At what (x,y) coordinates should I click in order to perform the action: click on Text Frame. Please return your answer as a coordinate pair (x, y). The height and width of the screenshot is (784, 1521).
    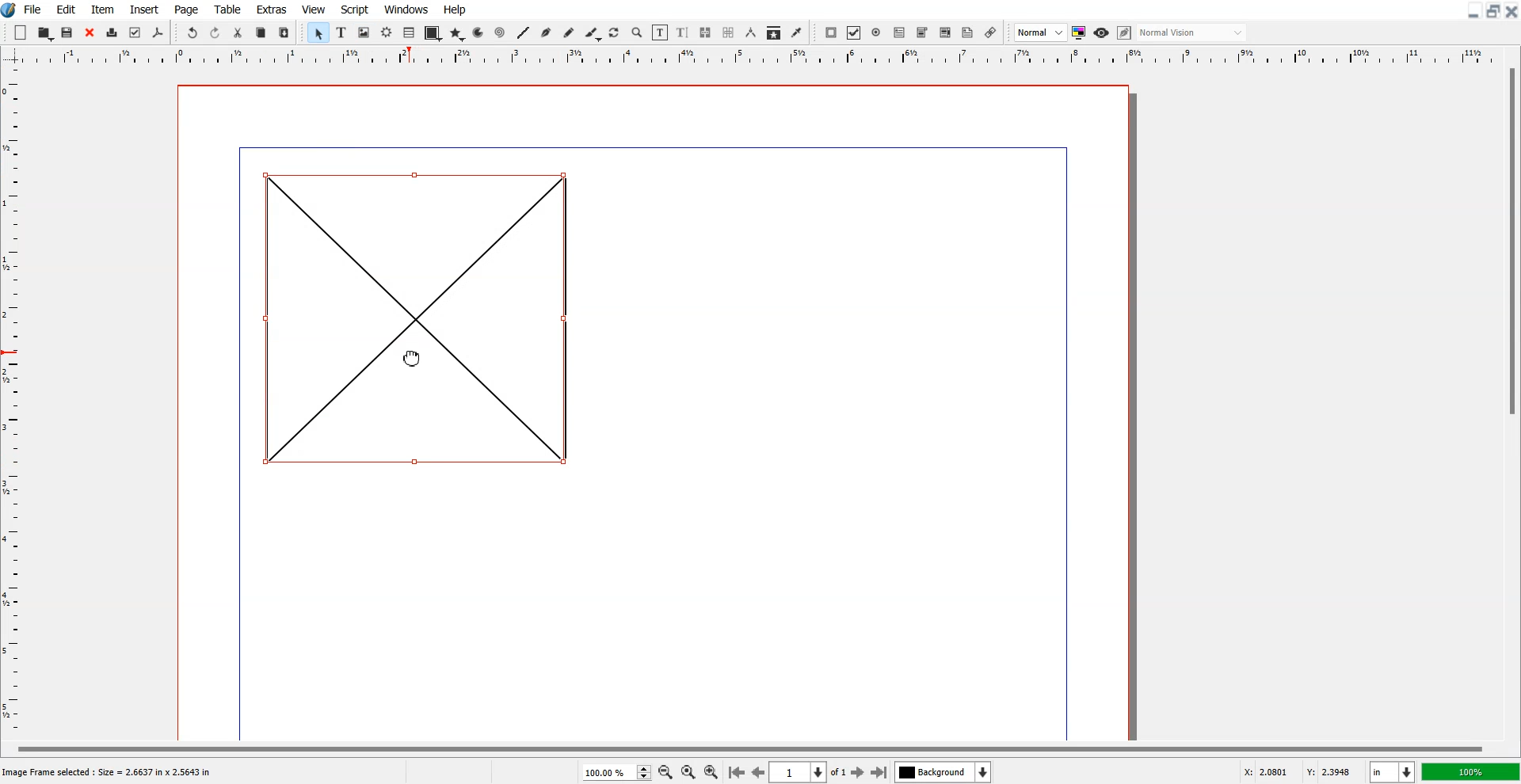
    Looking at the image, I should click on (341, 32).